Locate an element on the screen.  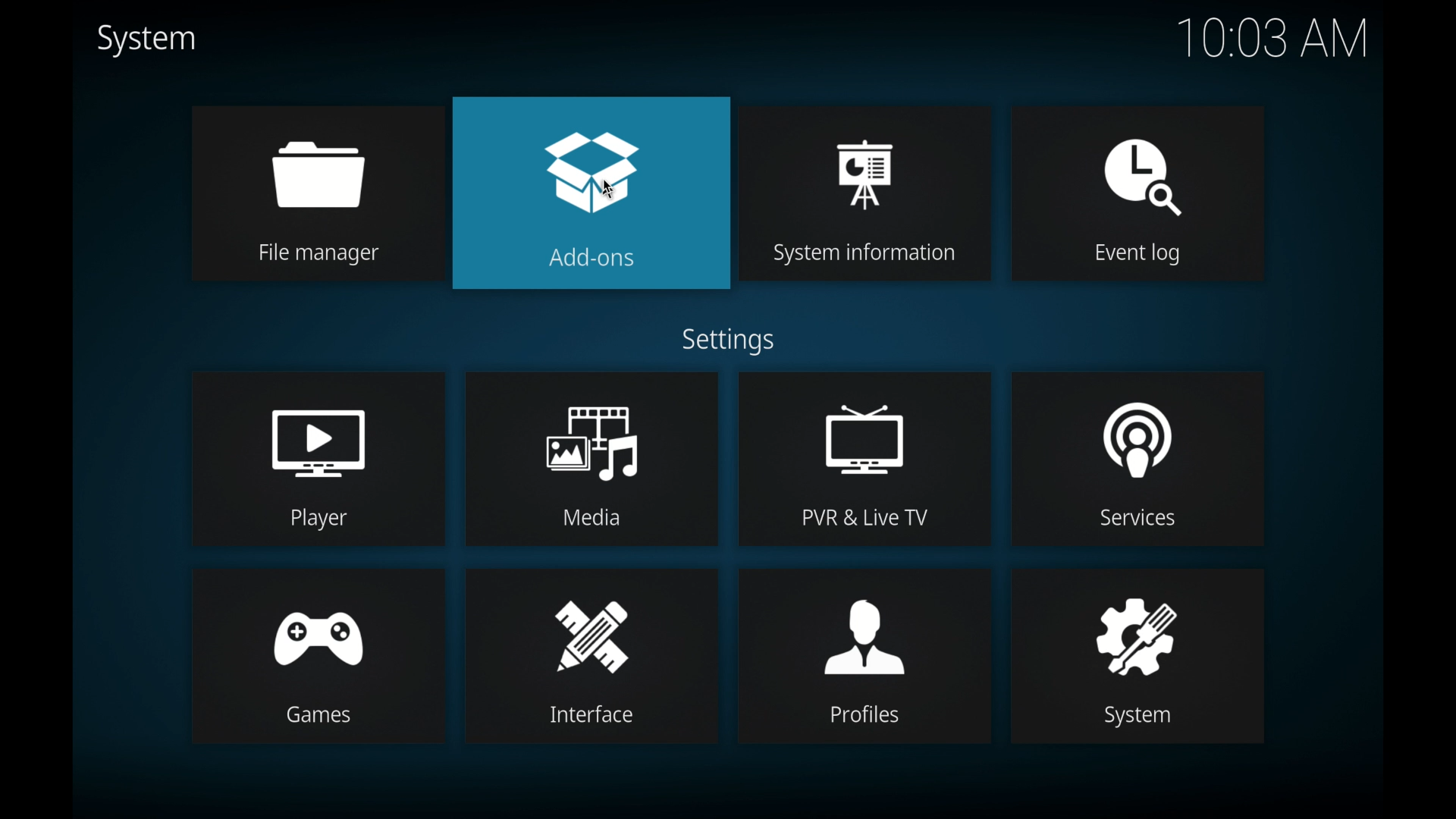
player is located at coordinates (318, 459).